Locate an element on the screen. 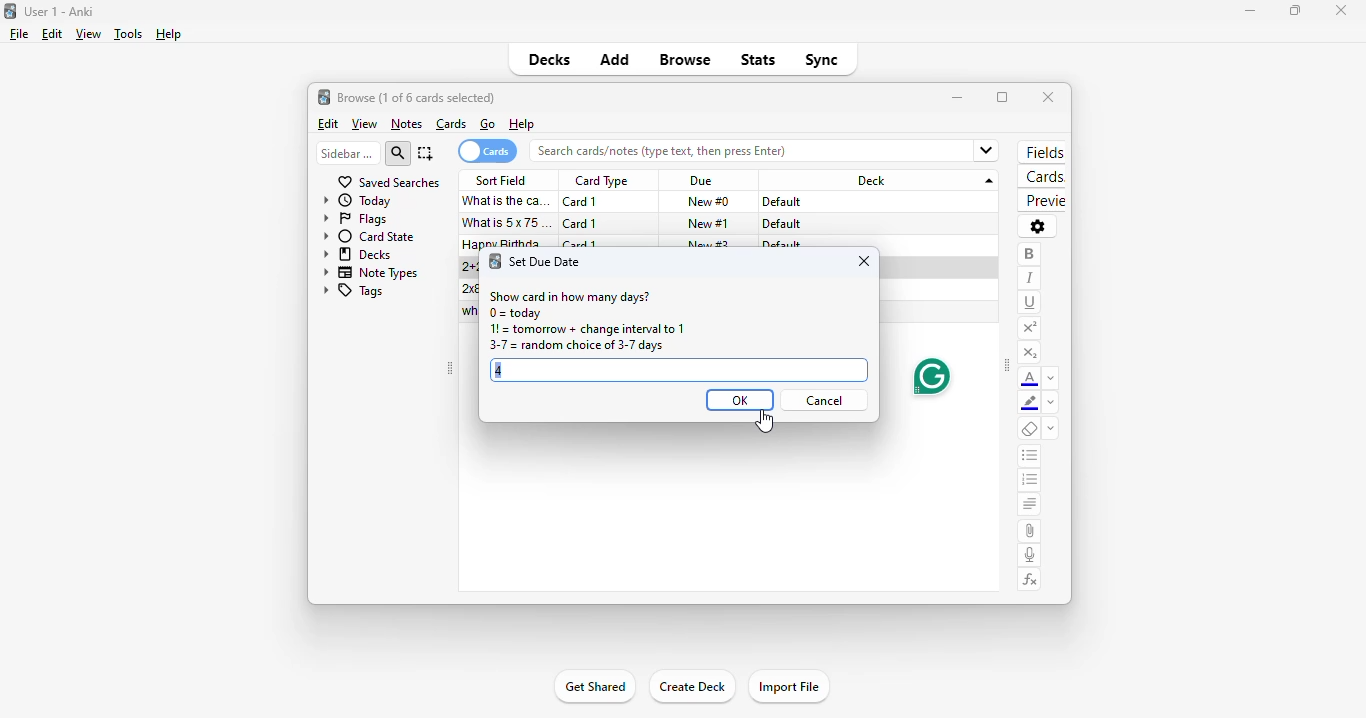 This screenshot has height=718, width=1366. file is located at coordinates (19, 34).